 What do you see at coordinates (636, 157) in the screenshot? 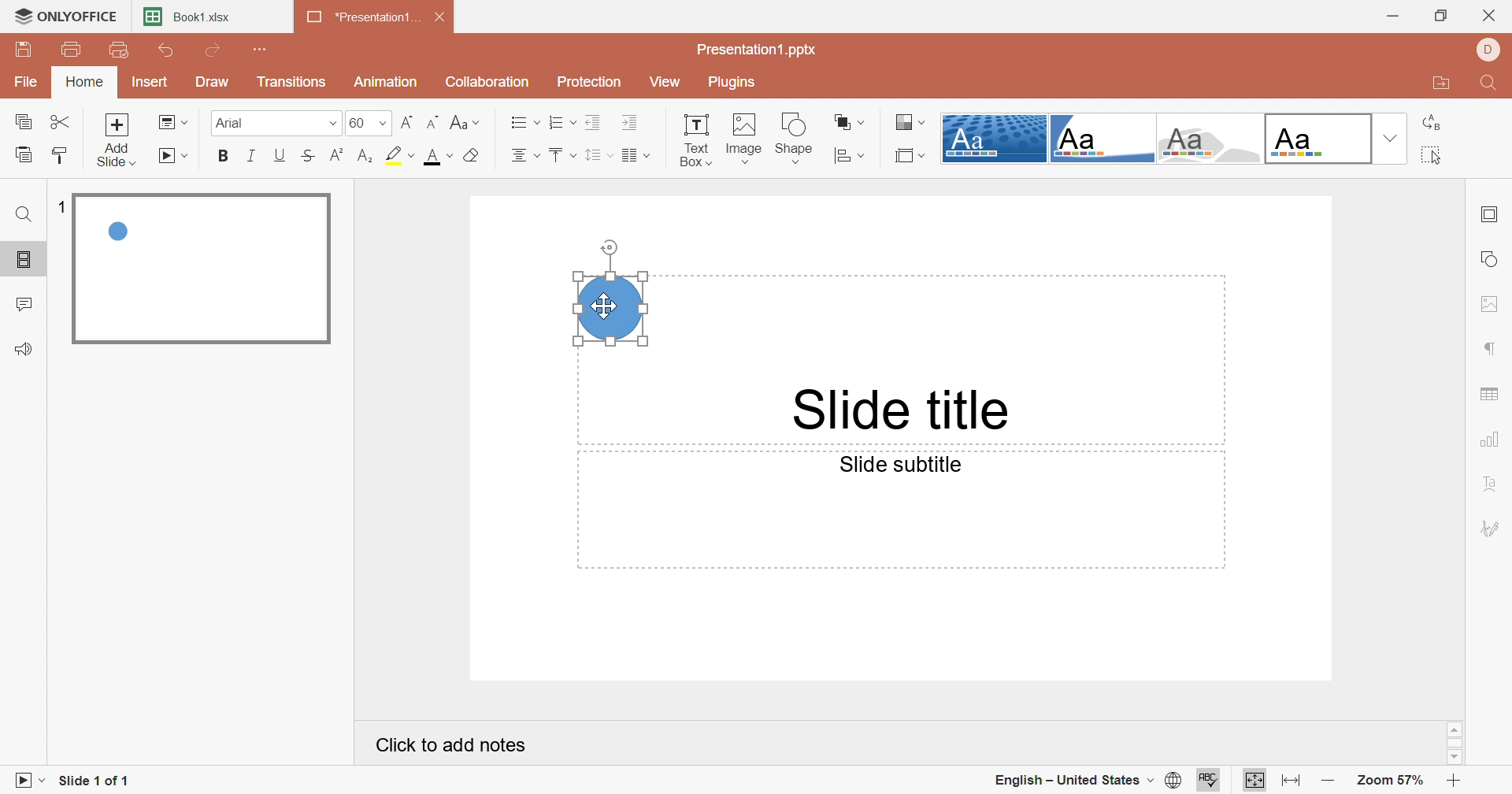
I see `Insert columns` at bounding box center [636, 157].